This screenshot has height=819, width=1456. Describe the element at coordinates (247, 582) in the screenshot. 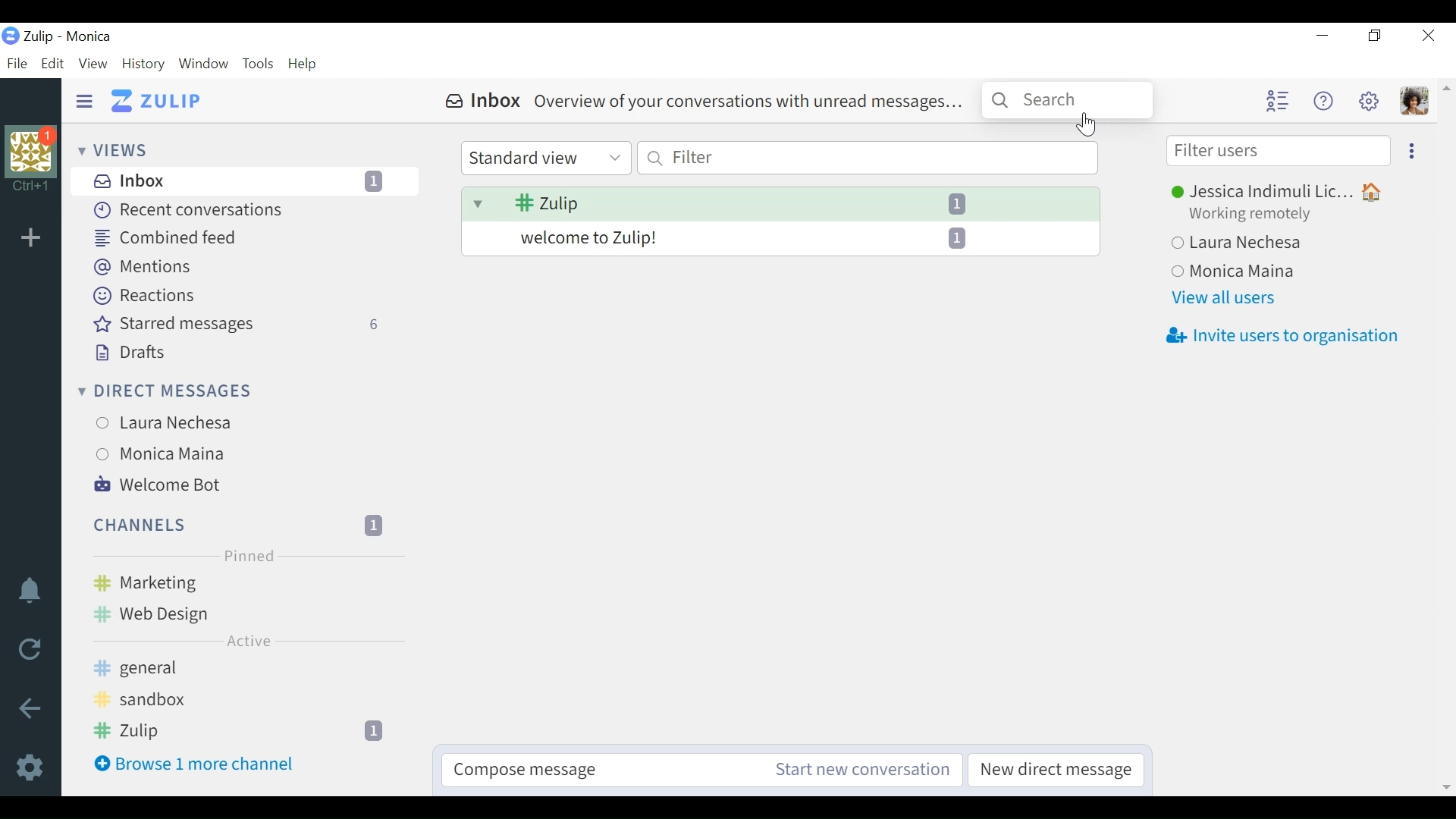

I see `Marketing` at that location.